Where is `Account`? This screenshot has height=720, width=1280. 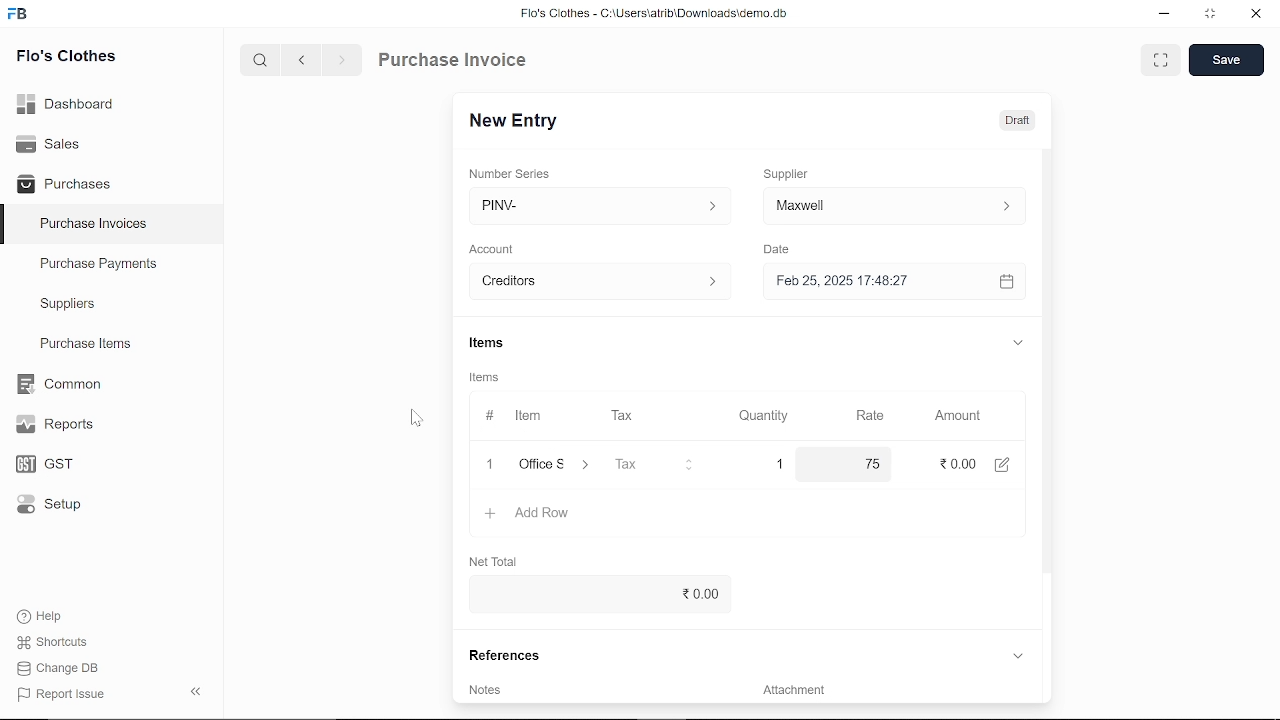 Account is located at coordinates (498, 247).